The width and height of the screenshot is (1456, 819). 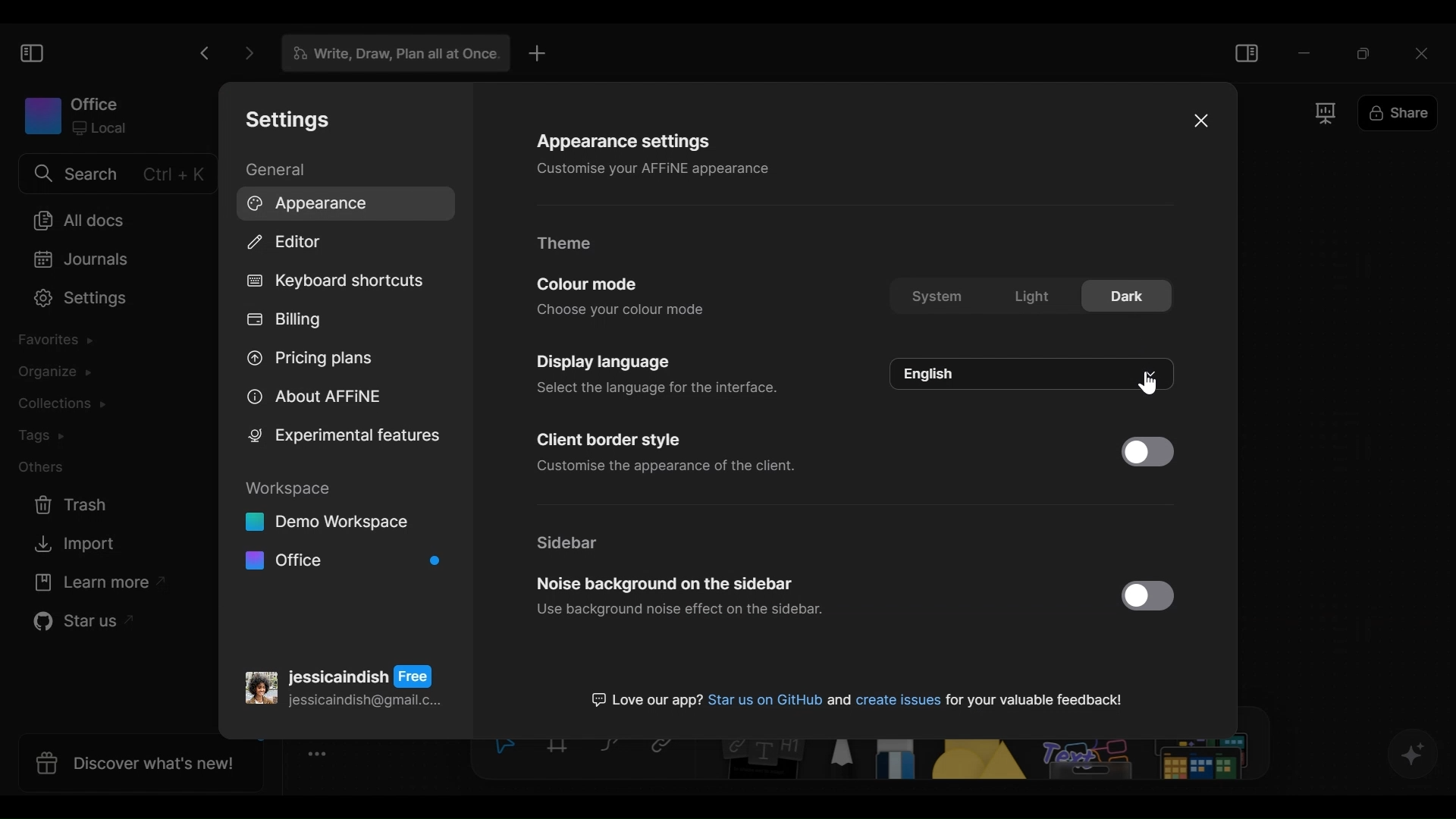 I want to click on Appearance, so click(x=340, y=202).